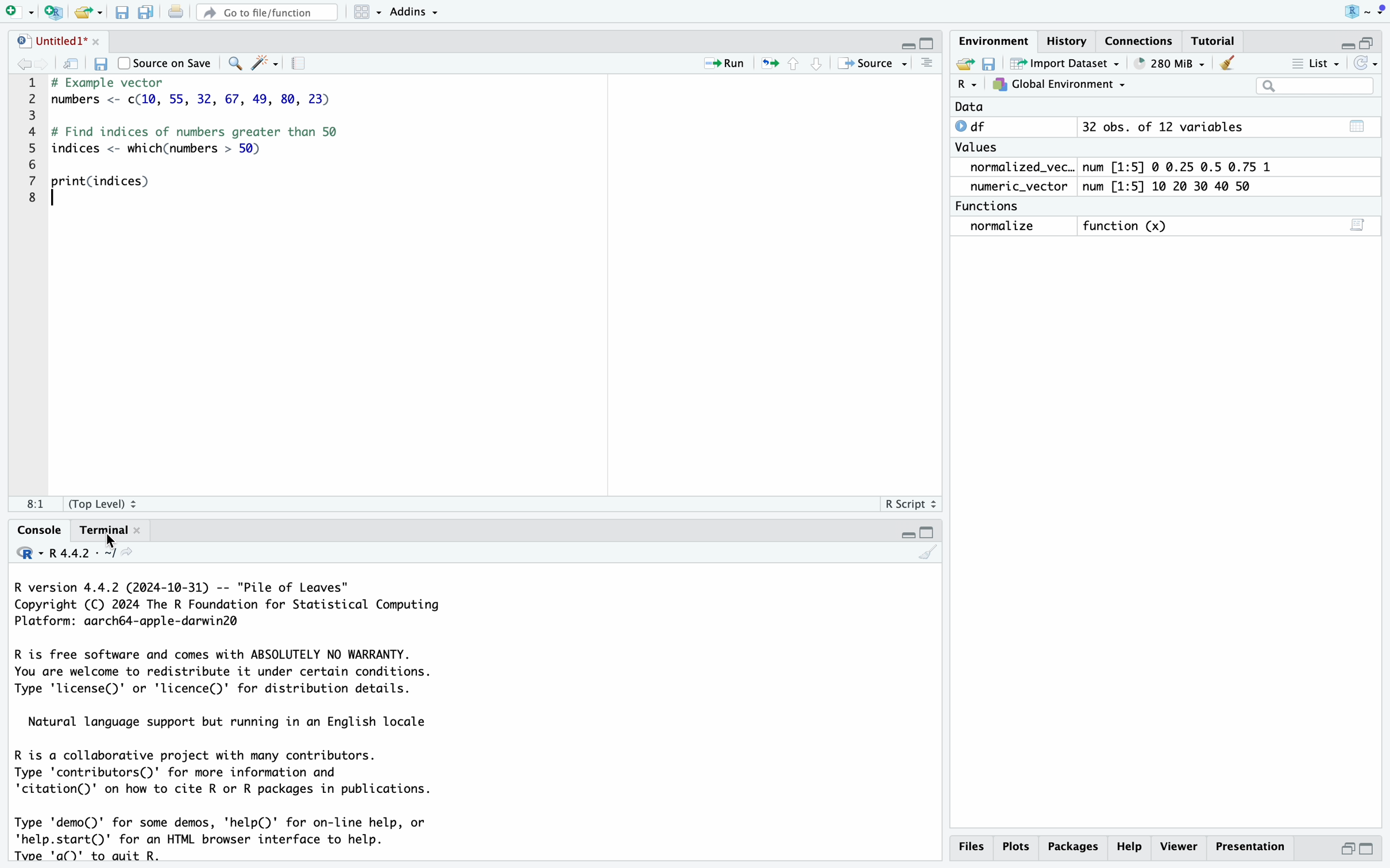 The width and height of the screenshot is (1390, 868). What do you see at coordinates (905, 532) in the screenshot?
I see `MINIMISE` at bounding box center [905, 532].